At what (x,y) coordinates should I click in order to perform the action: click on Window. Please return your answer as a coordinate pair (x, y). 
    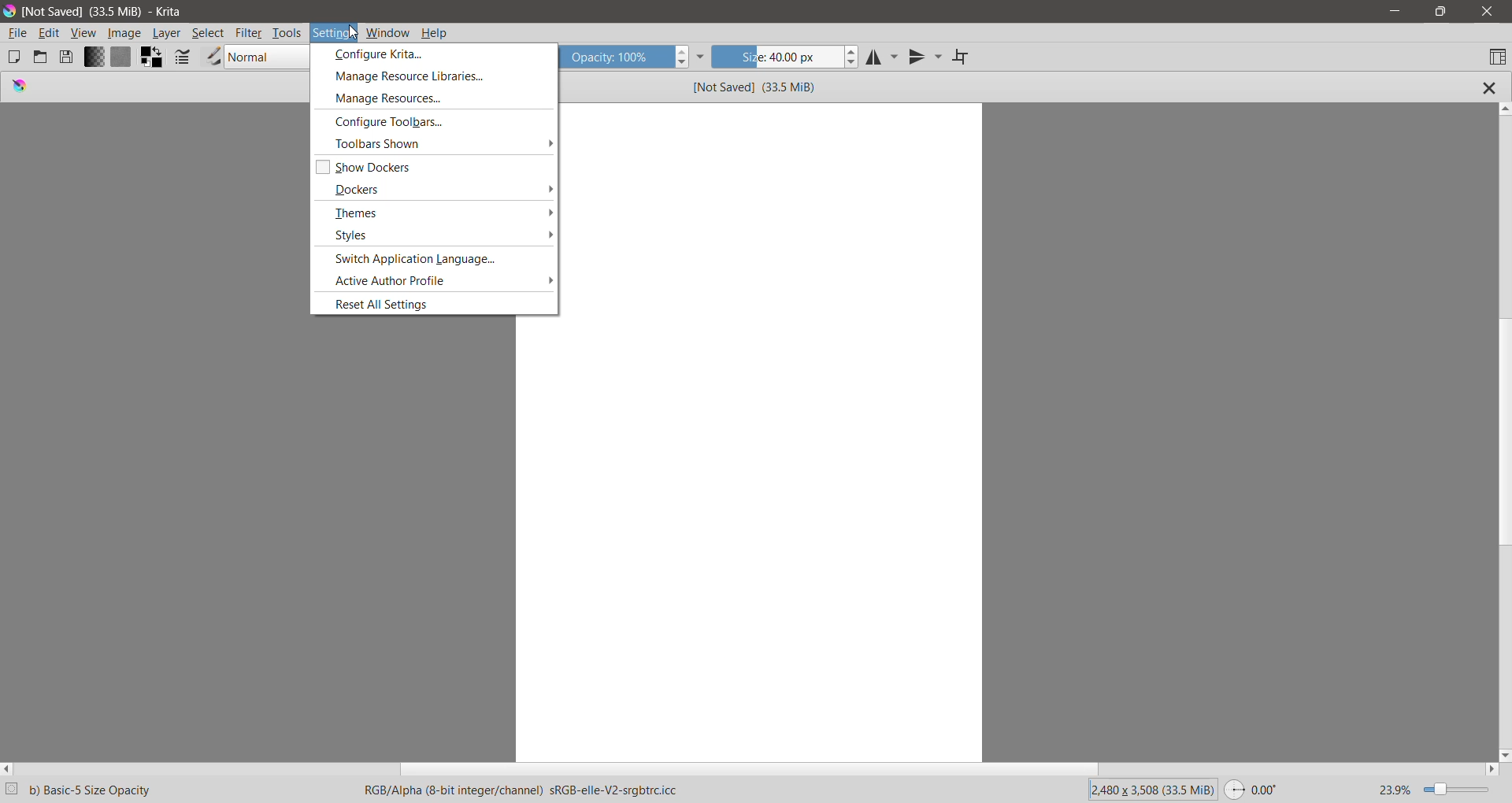
    Looking at the image, I should click on (388, 33).